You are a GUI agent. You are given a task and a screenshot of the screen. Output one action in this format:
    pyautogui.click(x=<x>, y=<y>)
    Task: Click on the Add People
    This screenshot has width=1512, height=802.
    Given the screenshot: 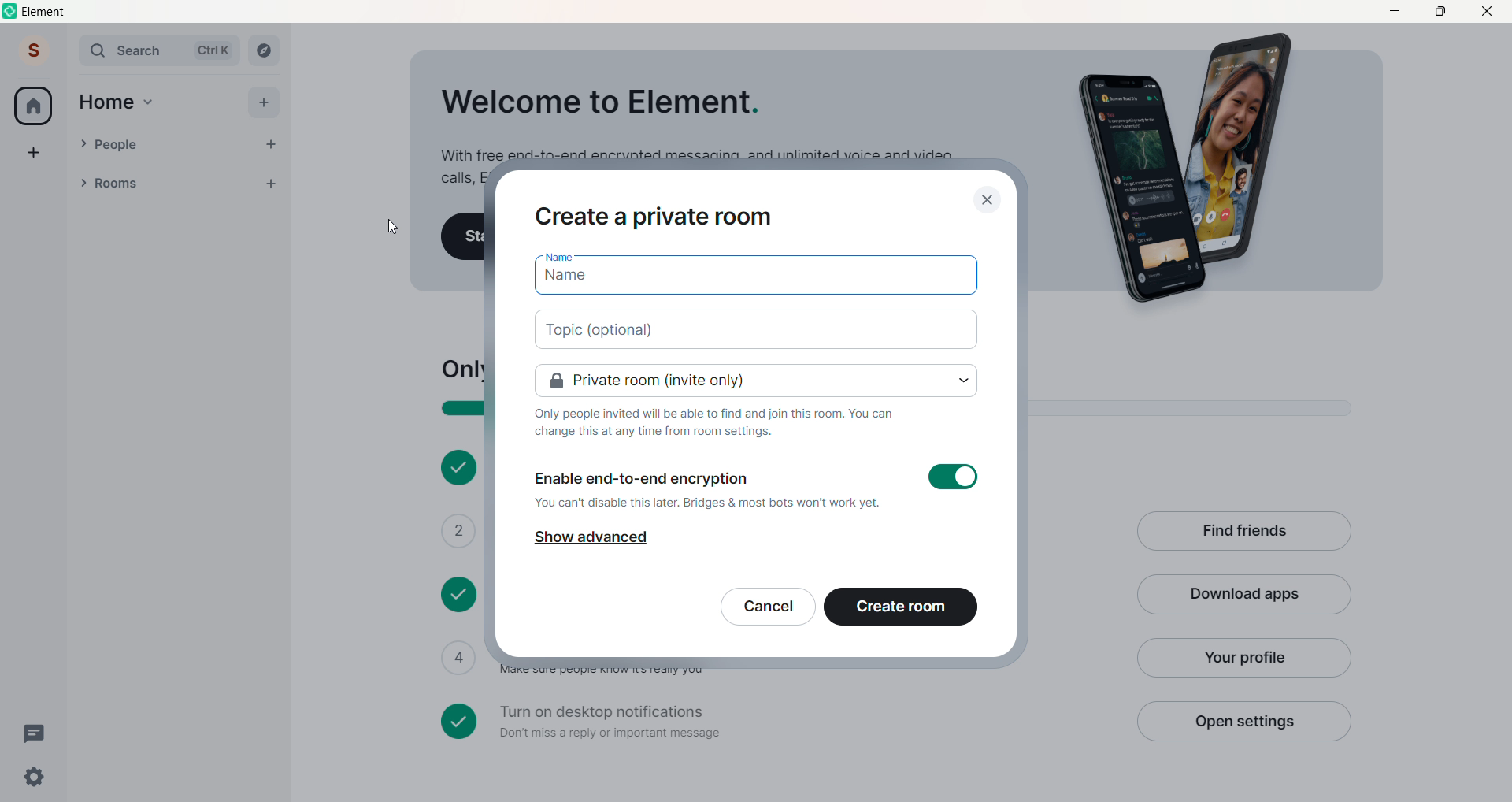 What is the action you would take?
    pyautogui.click(x=271, y=145)
    